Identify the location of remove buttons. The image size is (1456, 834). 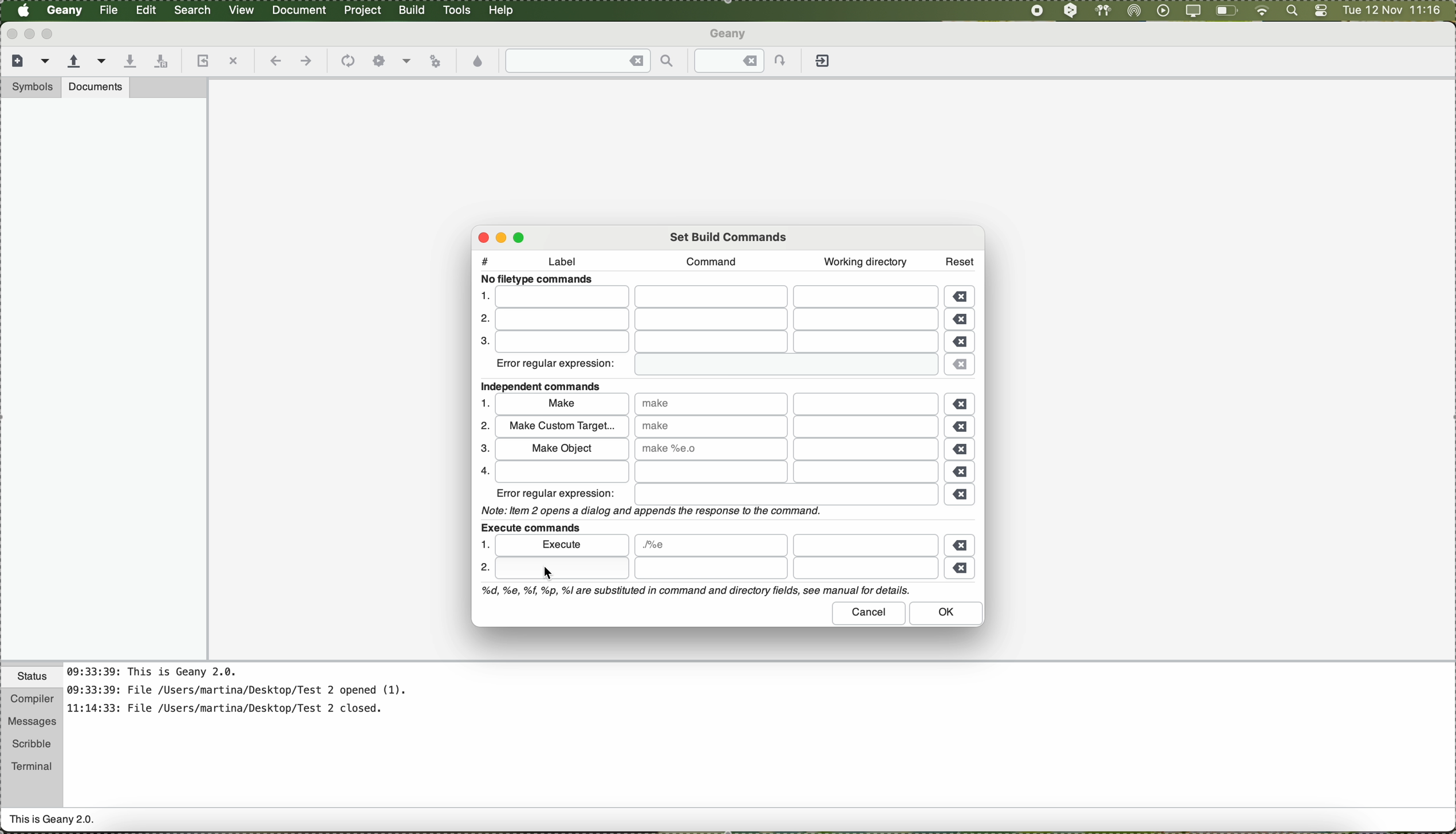
(962, 433).